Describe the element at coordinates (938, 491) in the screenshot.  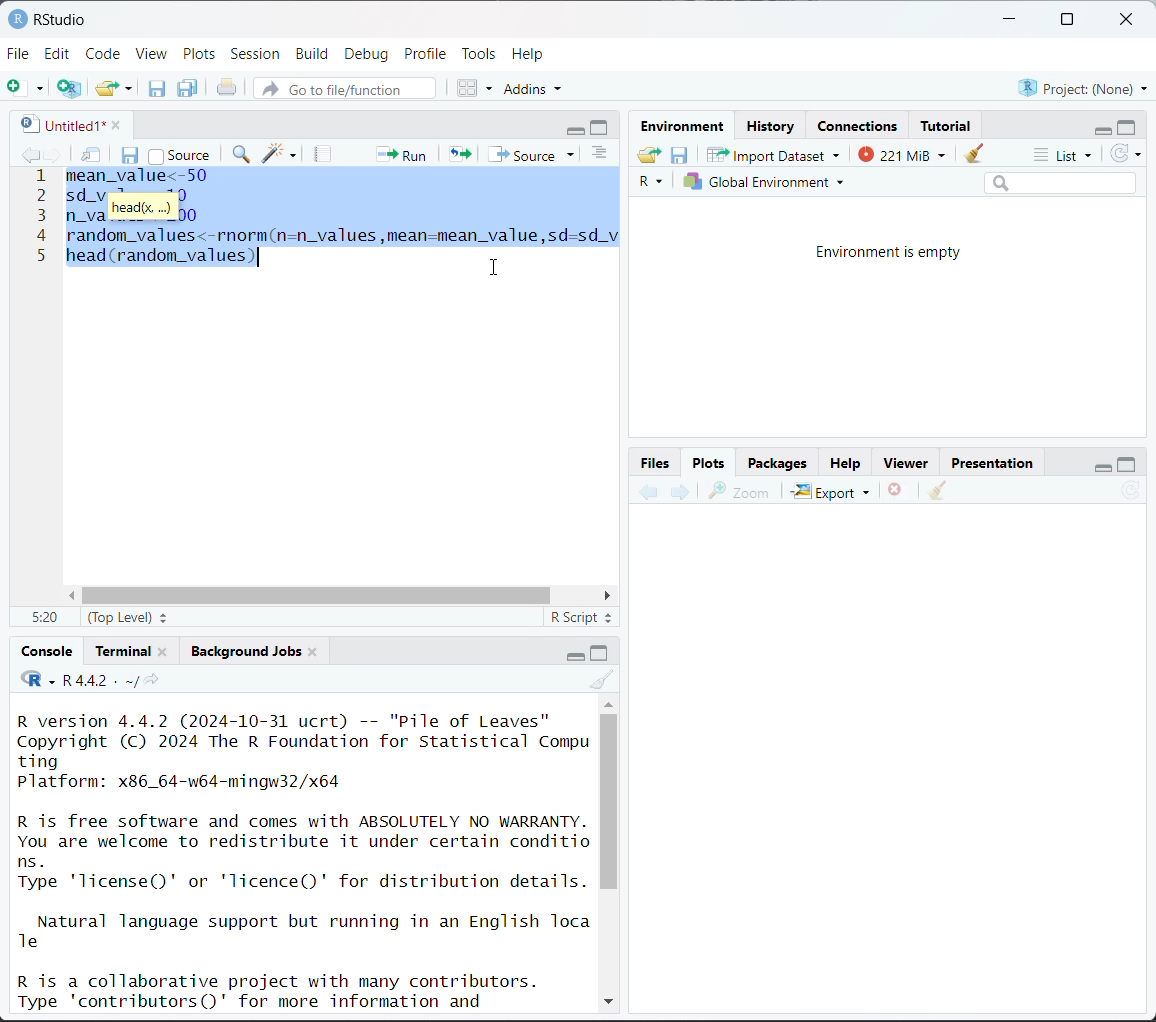
I see `clear all plots` at that location.